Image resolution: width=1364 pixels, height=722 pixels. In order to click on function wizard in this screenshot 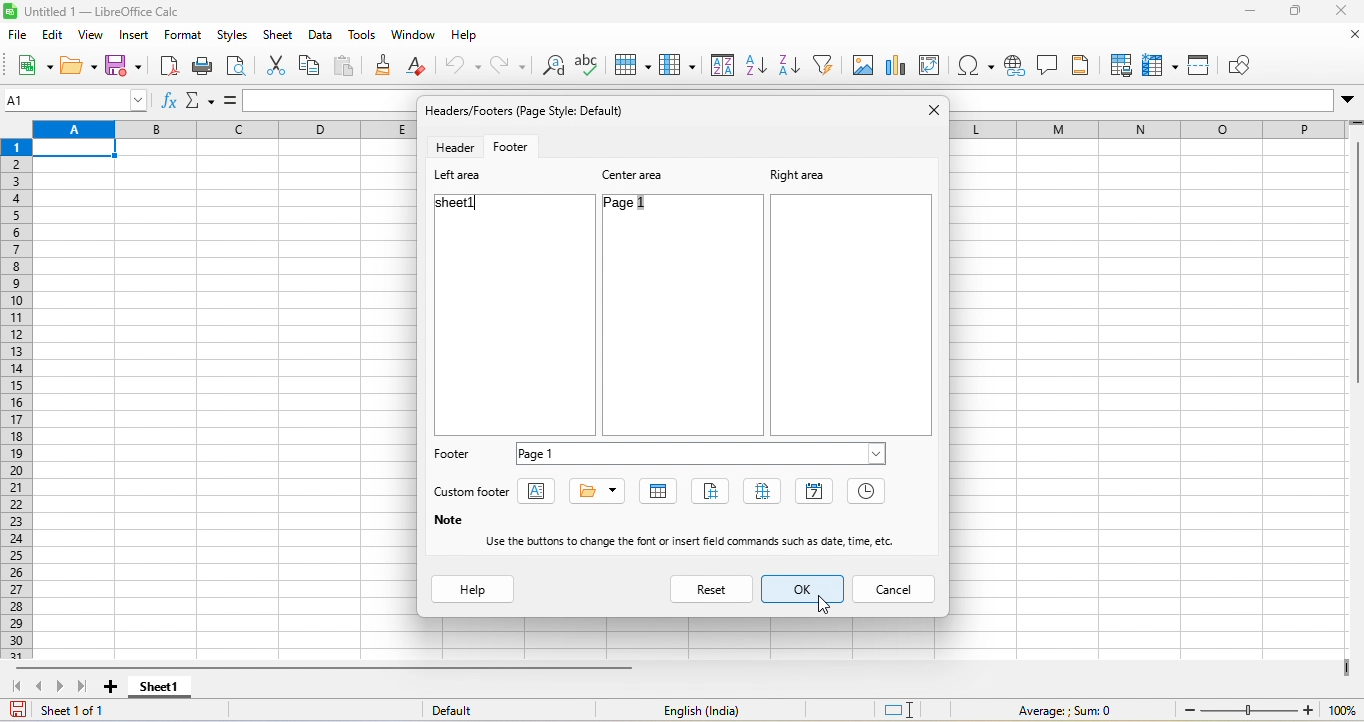, I will do `click(170, 103)`.